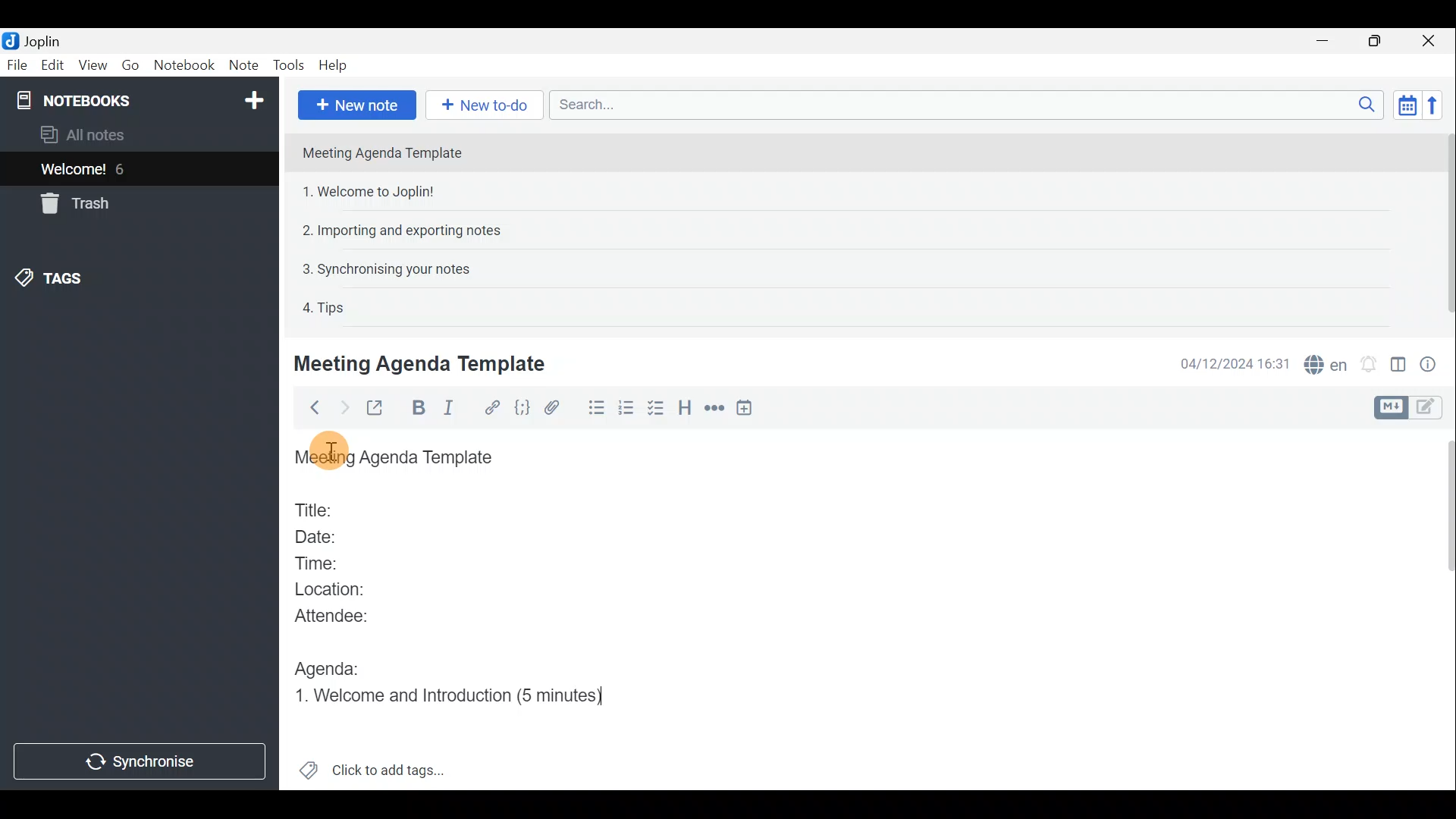 This screenshot has width=1456, height=819. I want to click on Search bar, so click(962, 104).